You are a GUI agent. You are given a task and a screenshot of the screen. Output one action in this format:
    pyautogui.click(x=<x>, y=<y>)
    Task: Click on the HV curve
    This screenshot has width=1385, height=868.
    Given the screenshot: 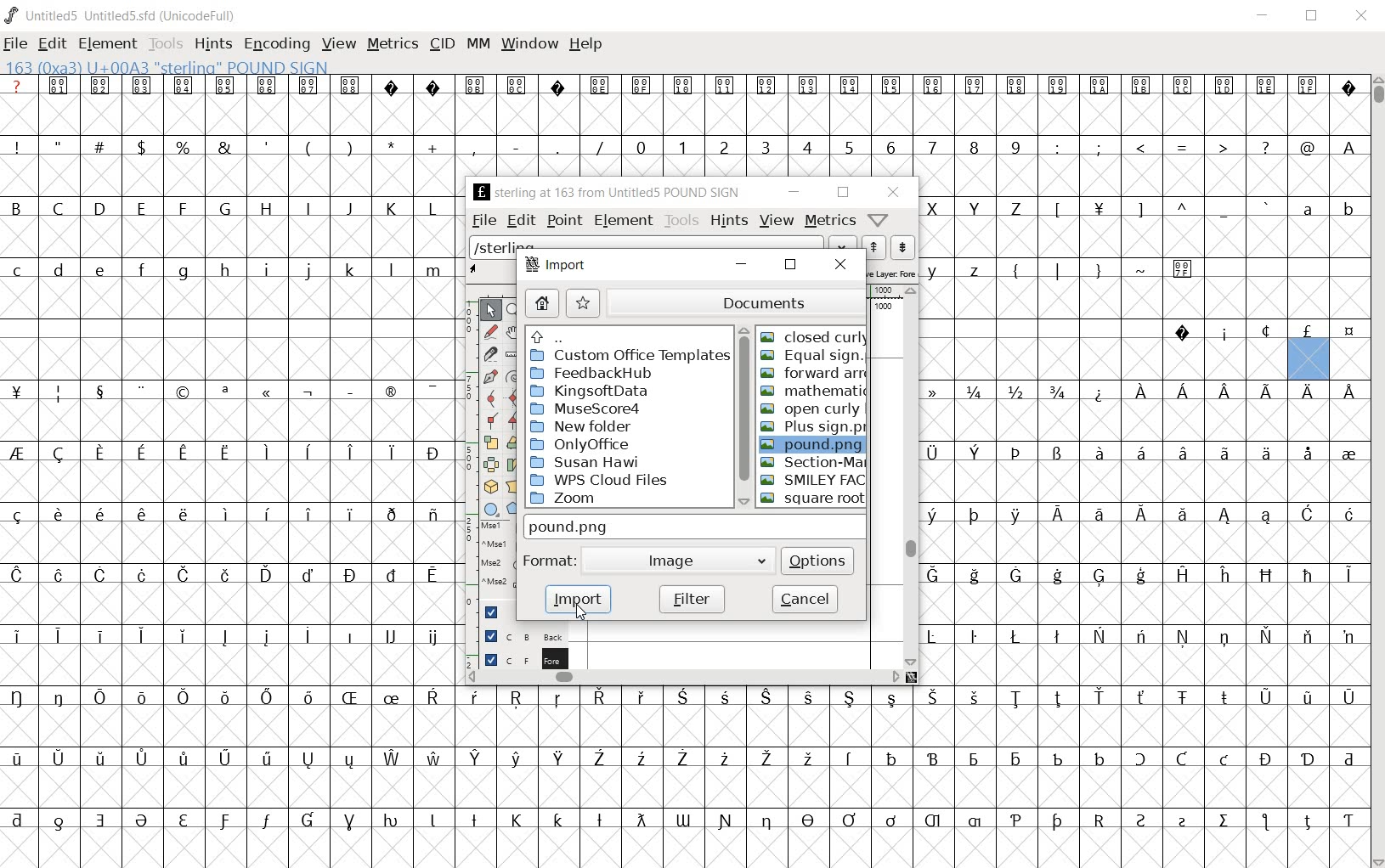 What is the action you would take?
    pyautogui.click(x=517, y=397)
    